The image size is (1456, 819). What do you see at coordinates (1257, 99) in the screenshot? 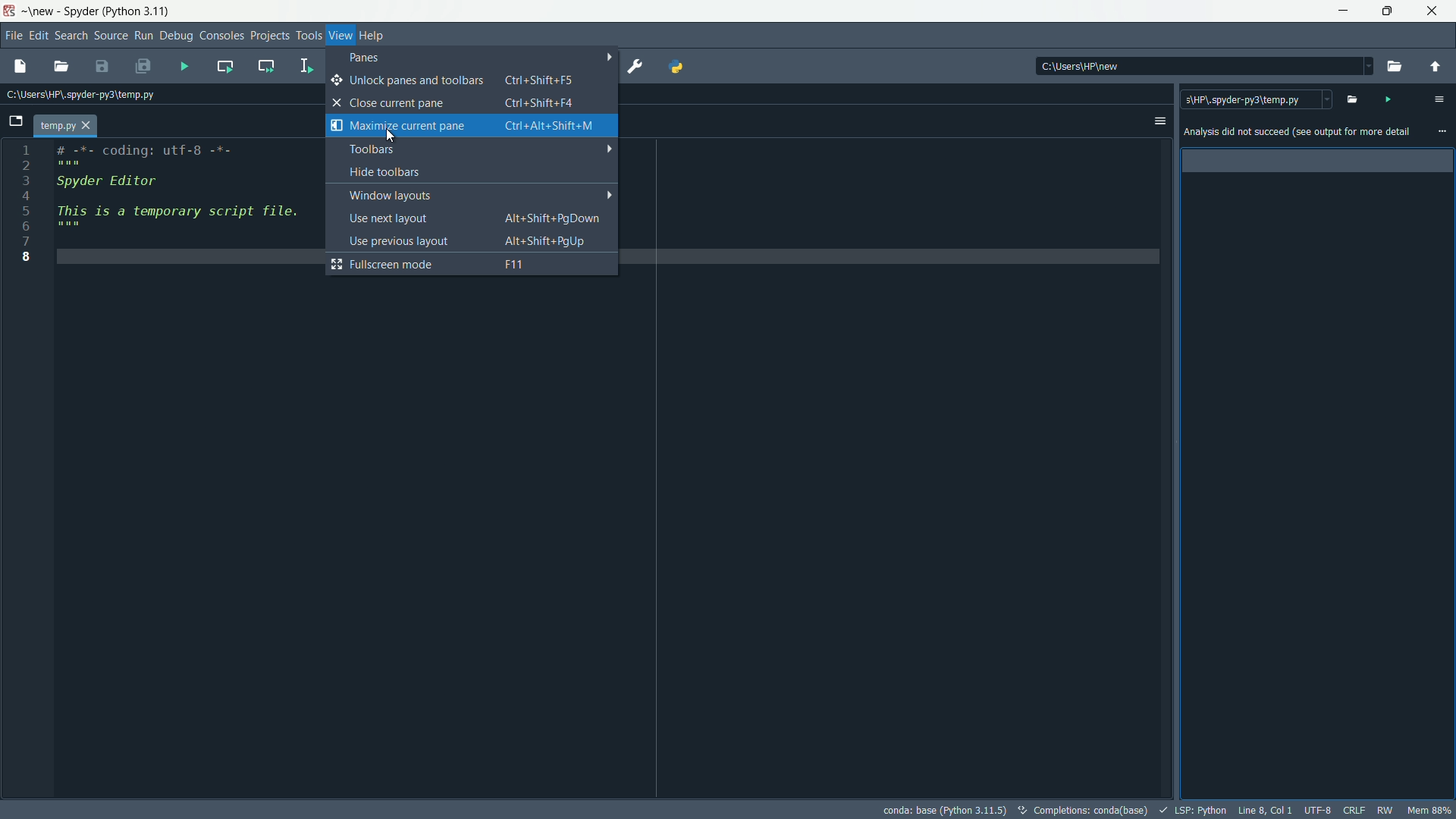
I see `c:\users\spyder-py3\temp.py` at bounding box center [1257, 99].